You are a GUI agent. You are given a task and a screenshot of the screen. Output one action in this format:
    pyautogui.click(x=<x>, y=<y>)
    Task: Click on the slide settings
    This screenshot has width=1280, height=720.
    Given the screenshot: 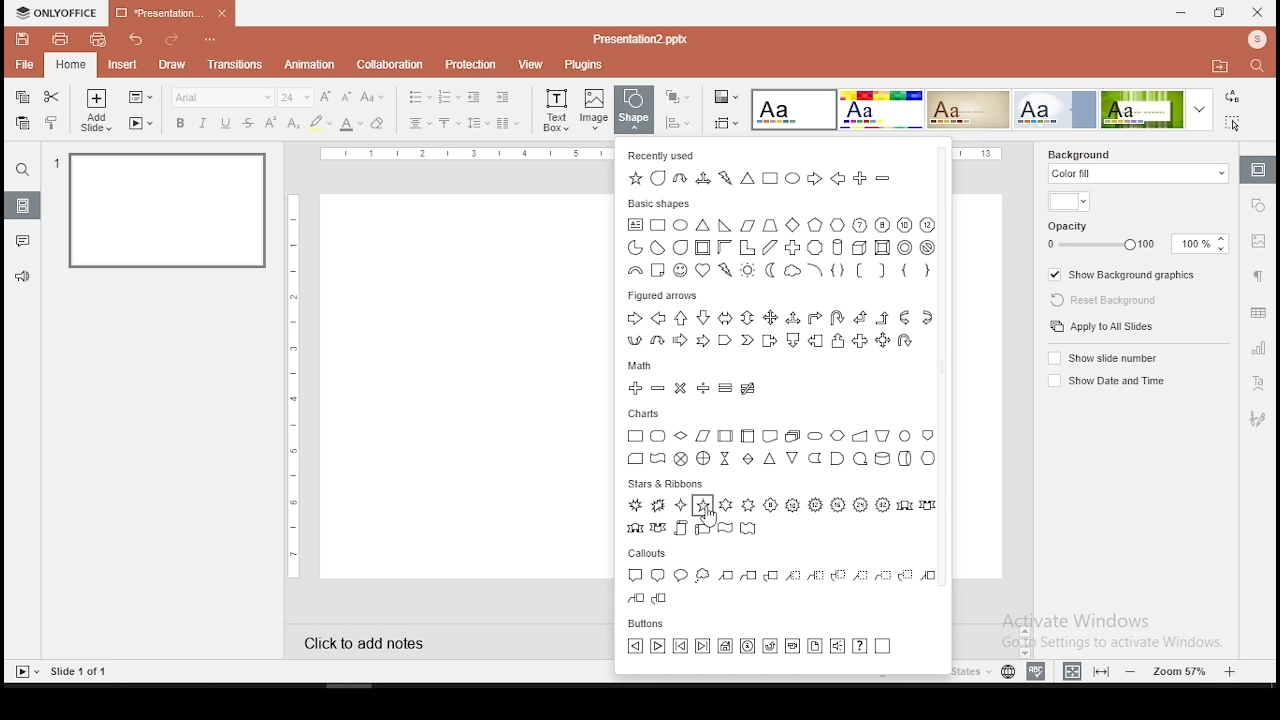 What is the action you would take?
    pyautogui.click(x=1256, y=170)
    